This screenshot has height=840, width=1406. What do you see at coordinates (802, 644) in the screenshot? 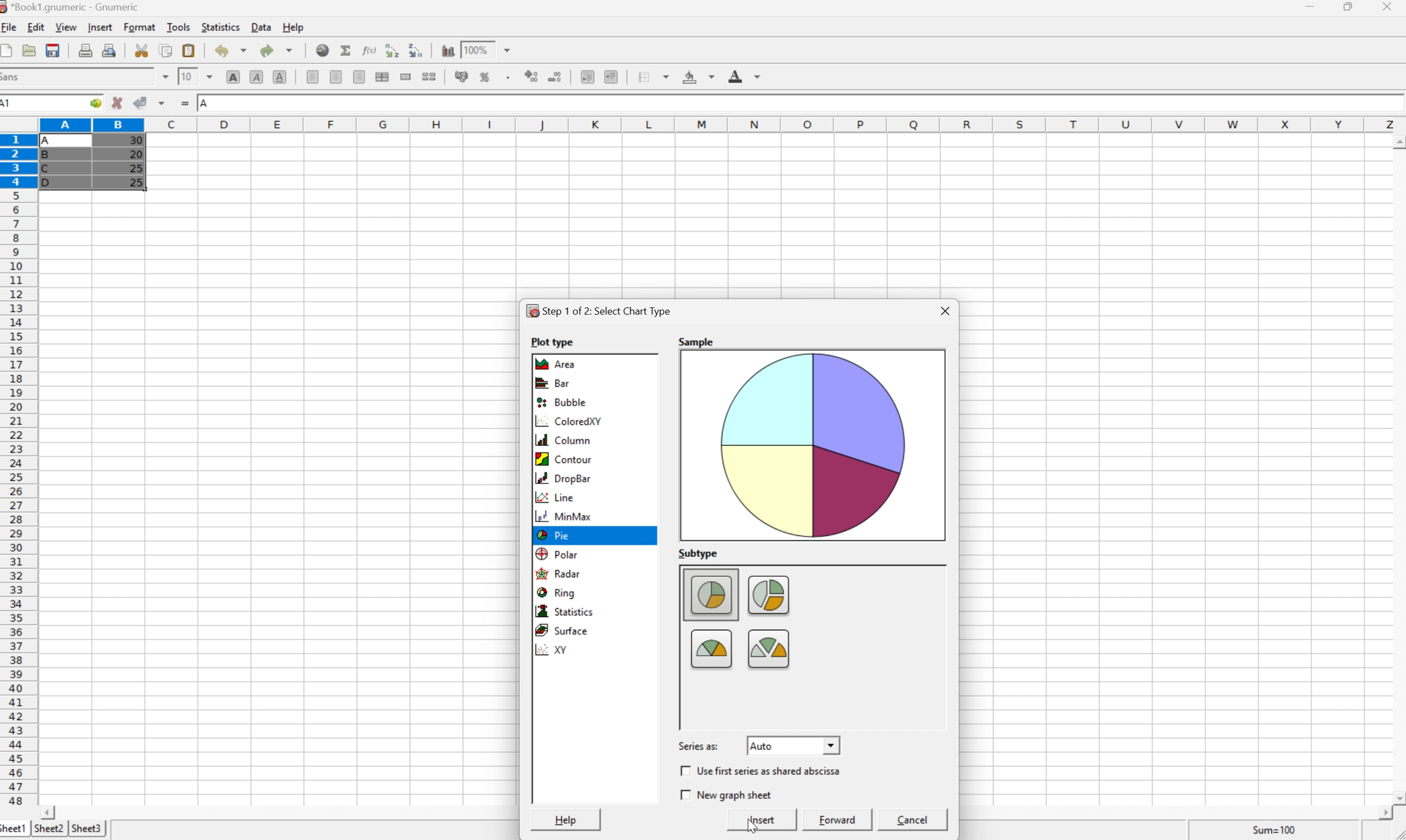
I see `Chart subtype` at bounding box center [802, 644].